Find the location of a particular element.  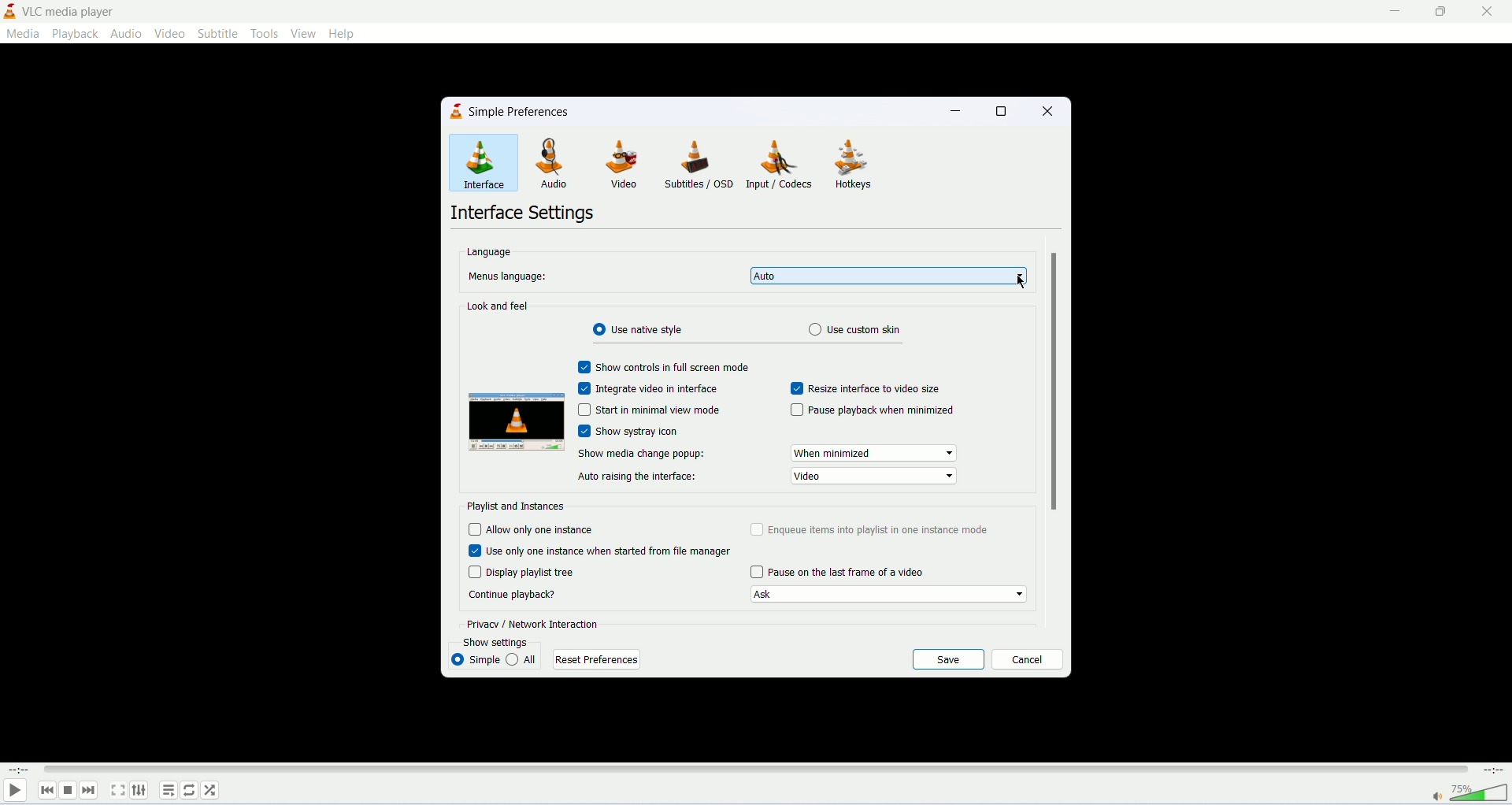

video is located at coordinates (874, 477).